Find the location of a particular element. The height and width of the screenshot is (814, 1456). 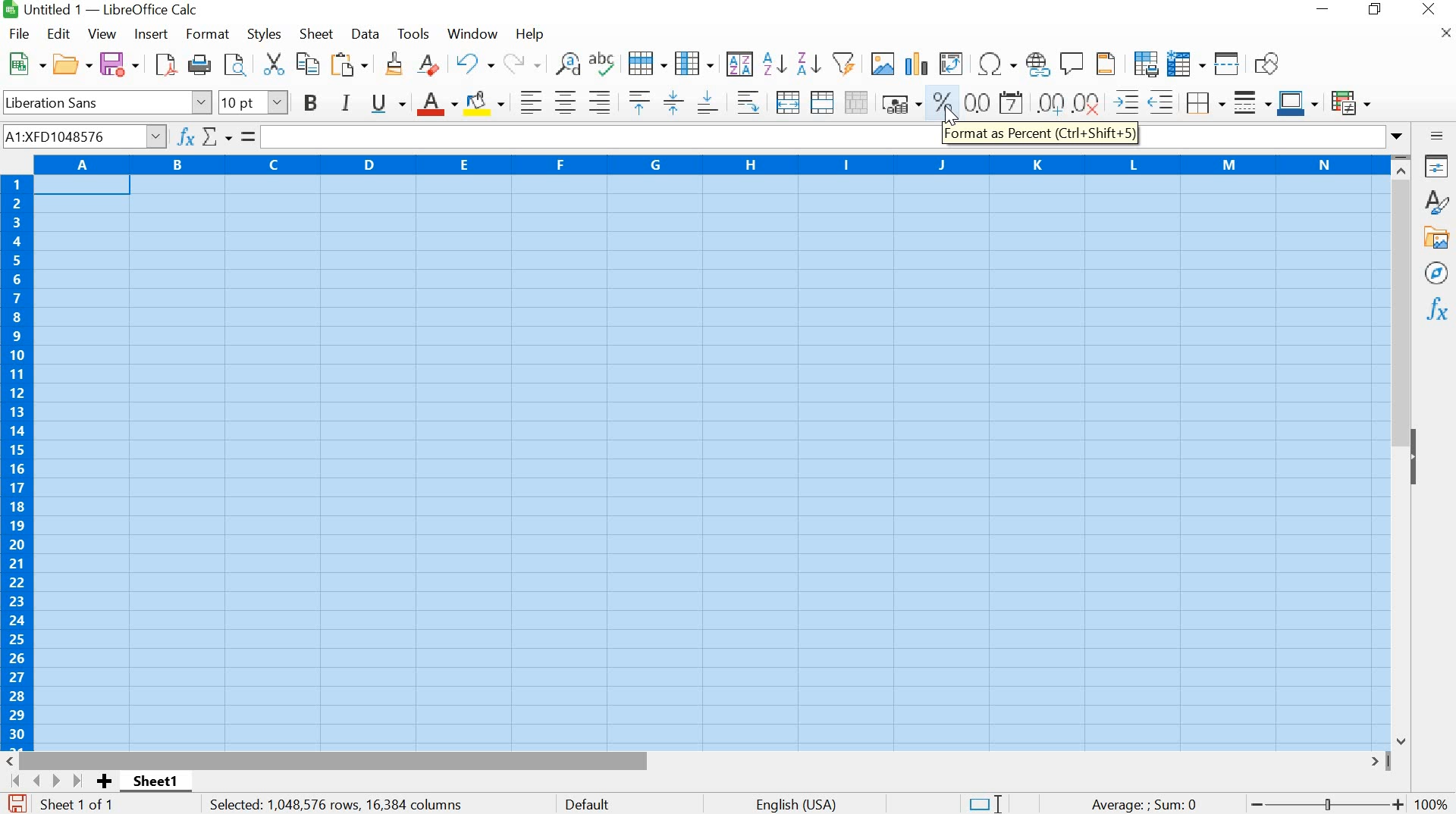

Add Decimal Place is located at coordinates (1052, 102).